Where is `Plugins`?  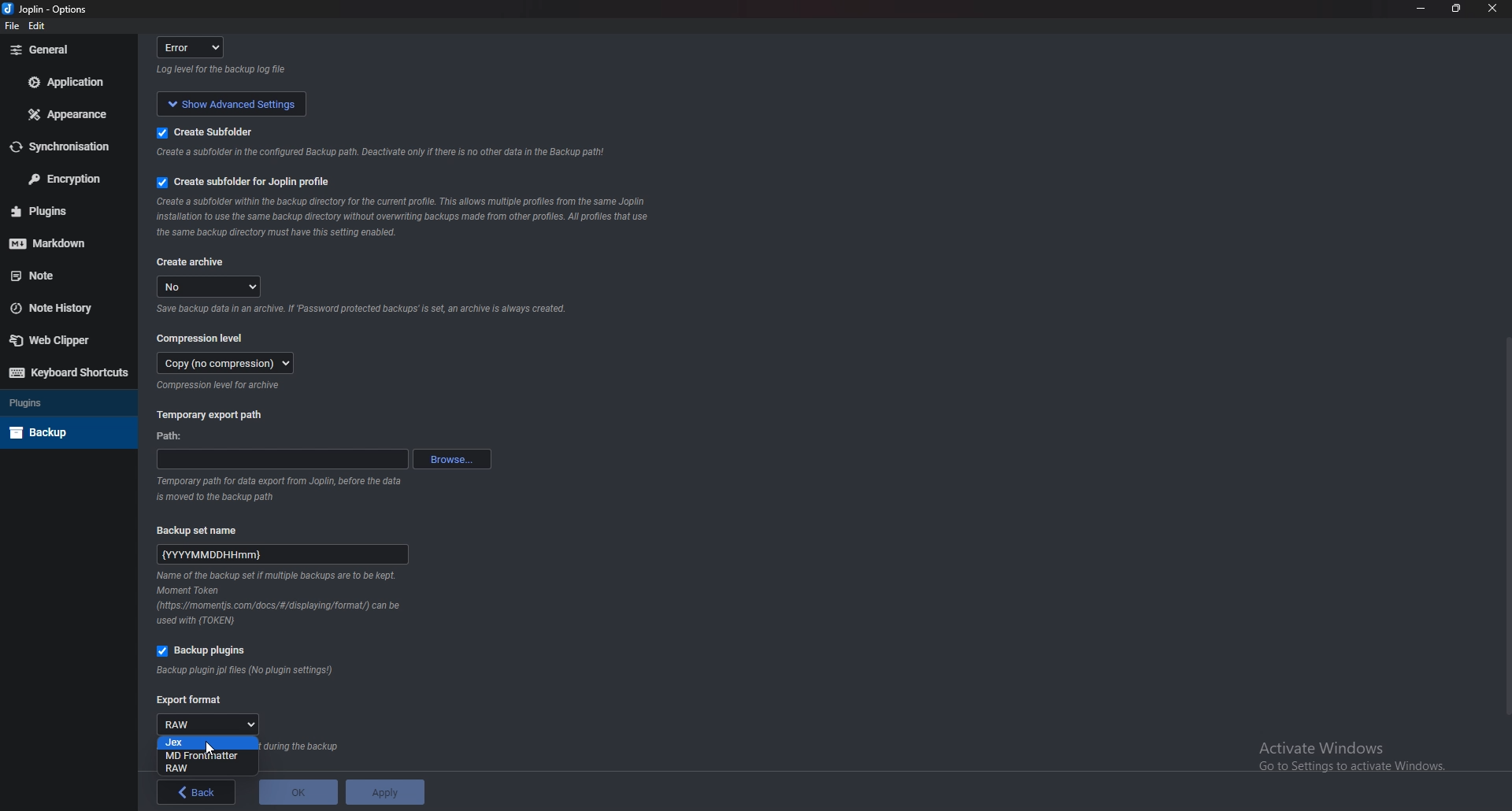
Plugins is located at coordinates (61, 211).